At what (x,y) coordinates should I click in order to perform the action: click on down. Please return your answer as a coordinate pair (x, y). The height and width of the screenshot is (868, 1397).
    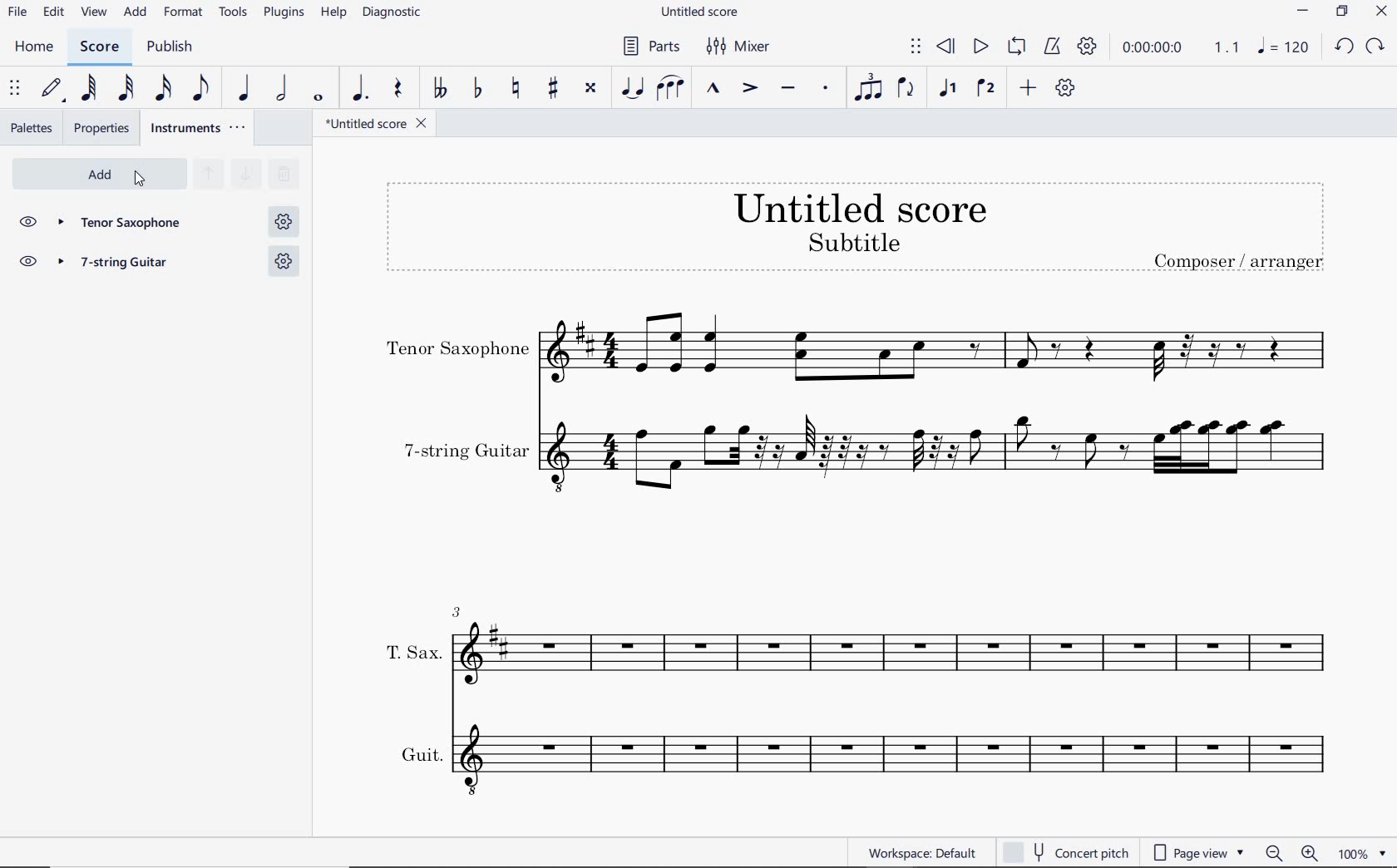
    Looking at the image, I should click on (244, 175).